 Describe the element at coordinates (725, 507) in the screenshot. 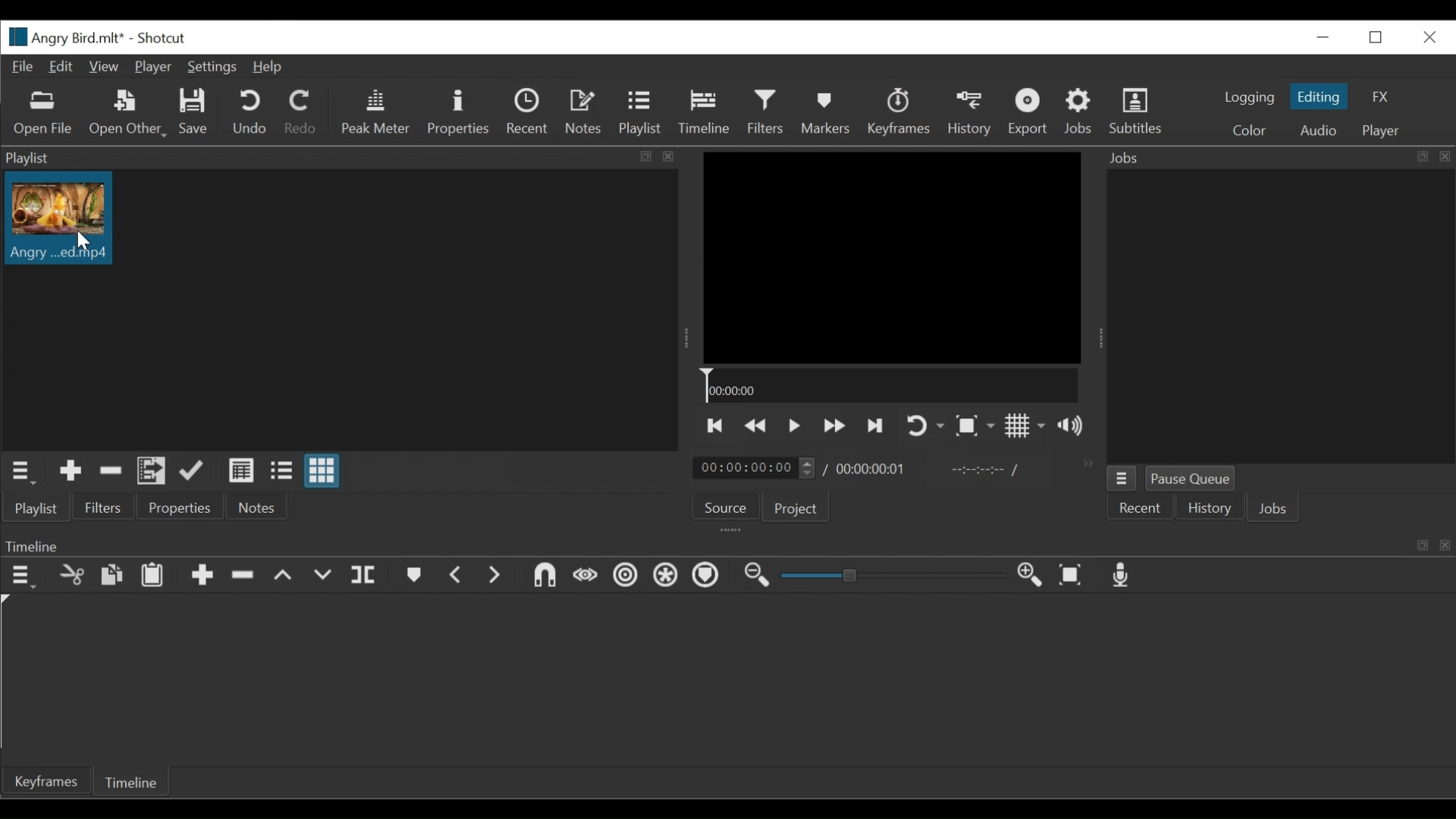

I see `Source` at that location.